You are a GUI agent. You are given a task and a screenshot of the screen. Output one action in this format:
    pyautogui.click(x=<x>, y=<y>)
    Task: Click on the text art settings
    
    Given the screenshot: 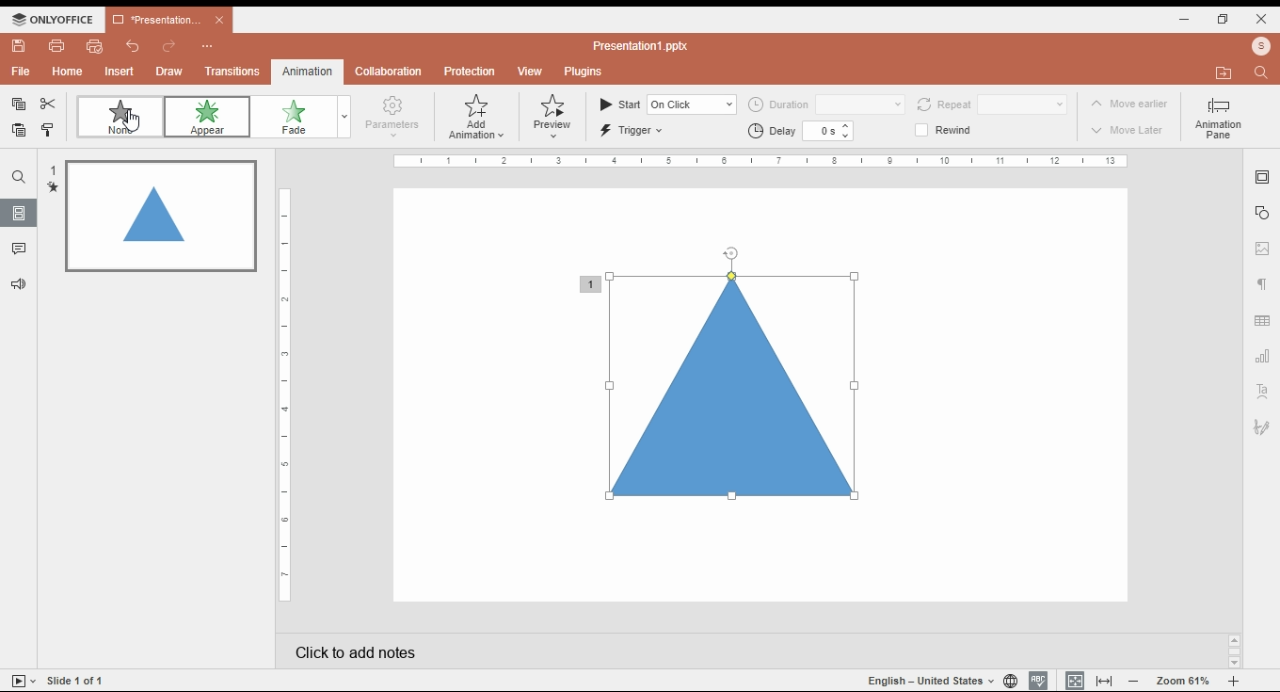 What is the action you would take?
    pyautogui.click(x=1262, y=390)
    